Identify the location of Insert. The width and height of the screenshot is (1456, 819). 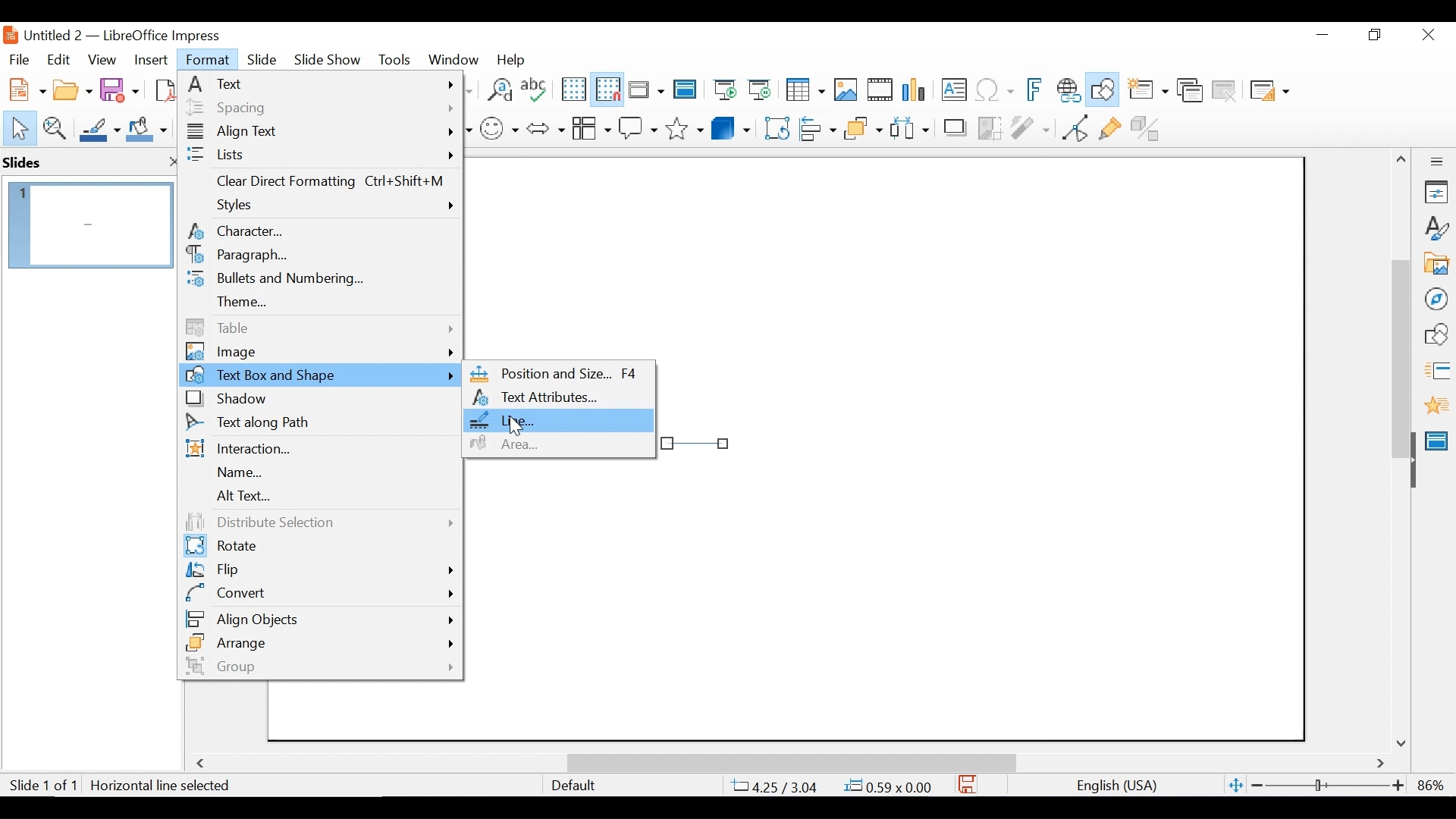
(149, 60).